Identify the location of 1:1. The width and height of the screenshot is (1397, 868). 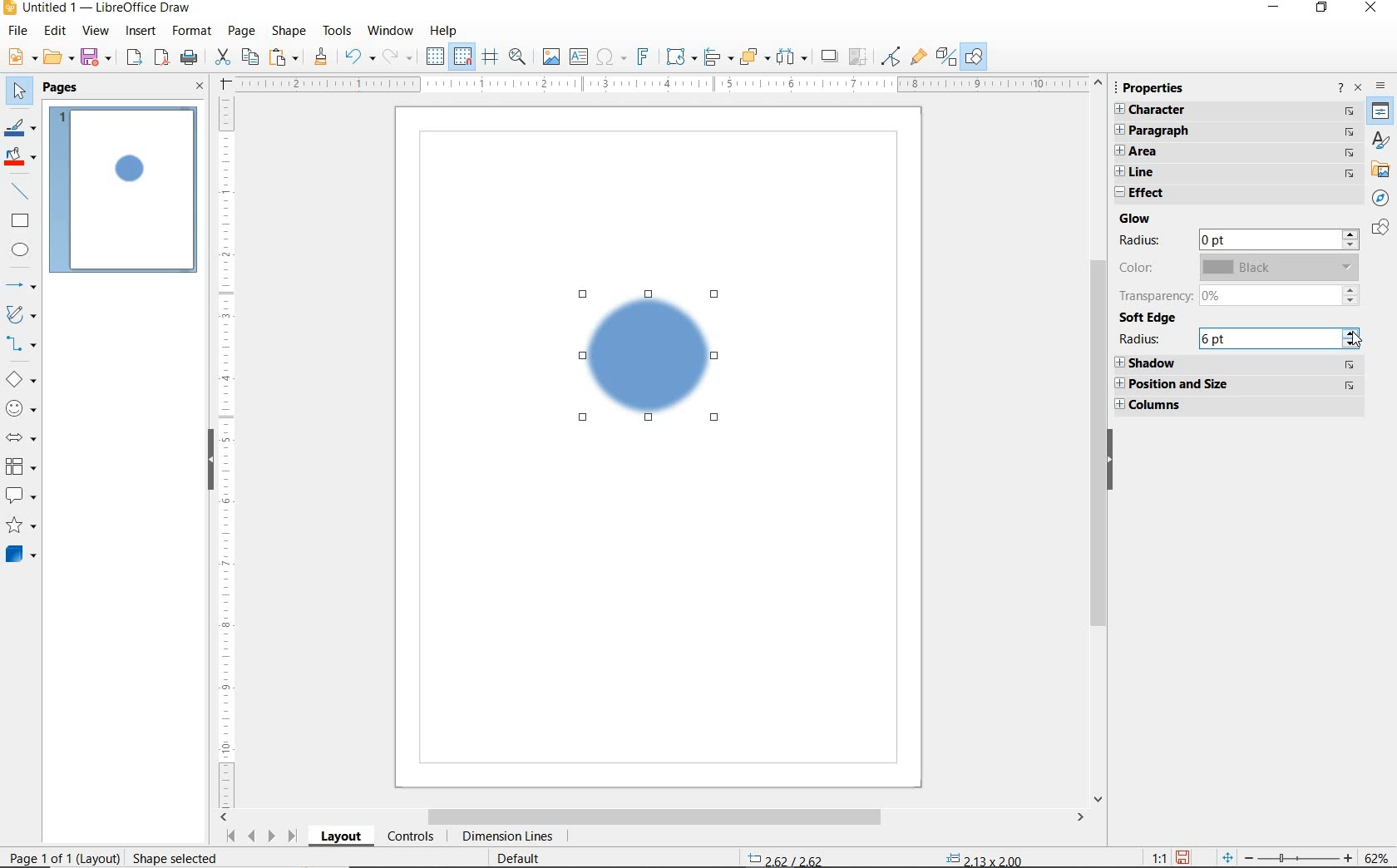
(1159, 857).